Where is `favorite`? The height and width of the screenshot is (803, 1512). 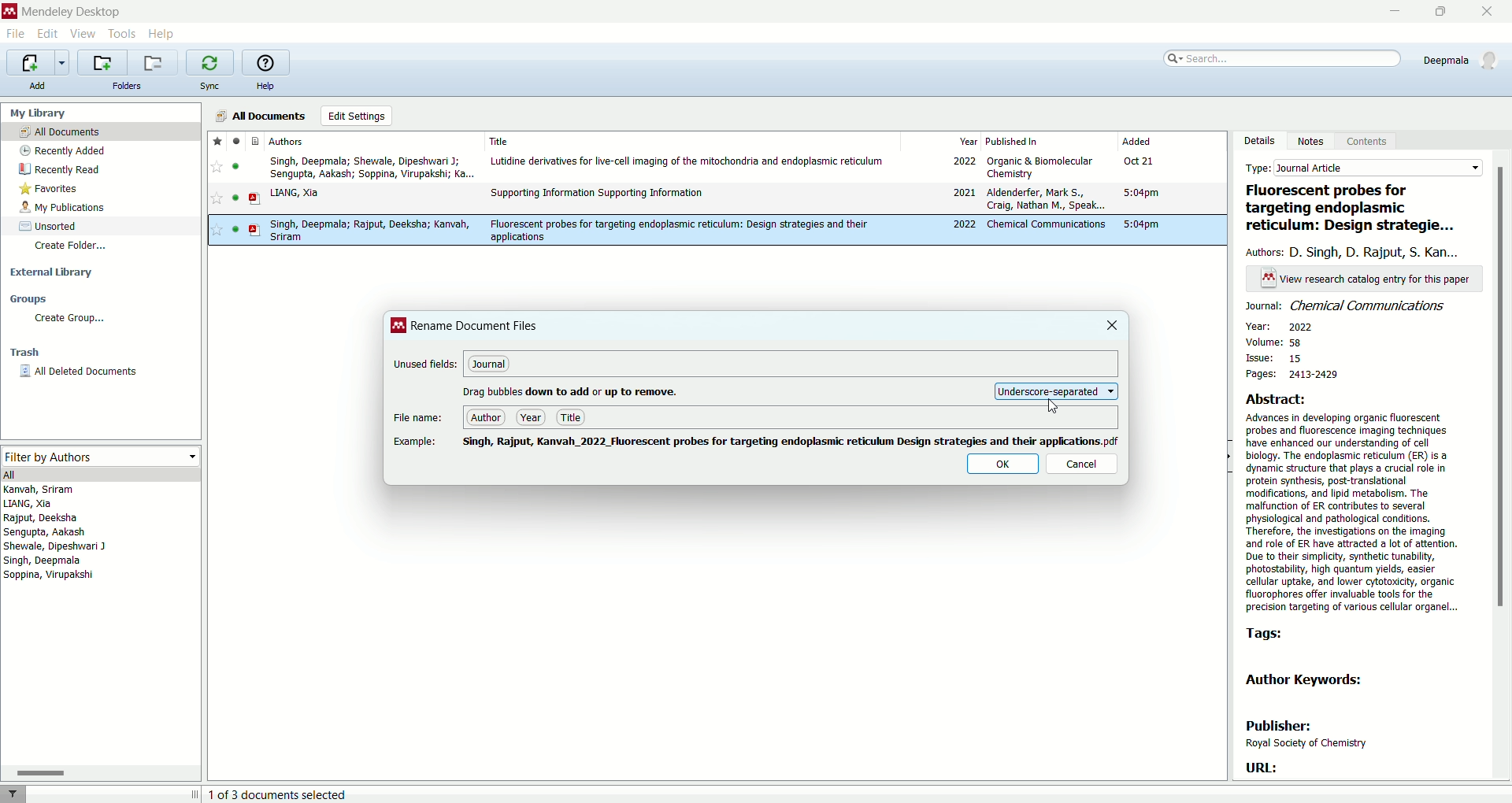
favorite is located at coordinates (215, 201).